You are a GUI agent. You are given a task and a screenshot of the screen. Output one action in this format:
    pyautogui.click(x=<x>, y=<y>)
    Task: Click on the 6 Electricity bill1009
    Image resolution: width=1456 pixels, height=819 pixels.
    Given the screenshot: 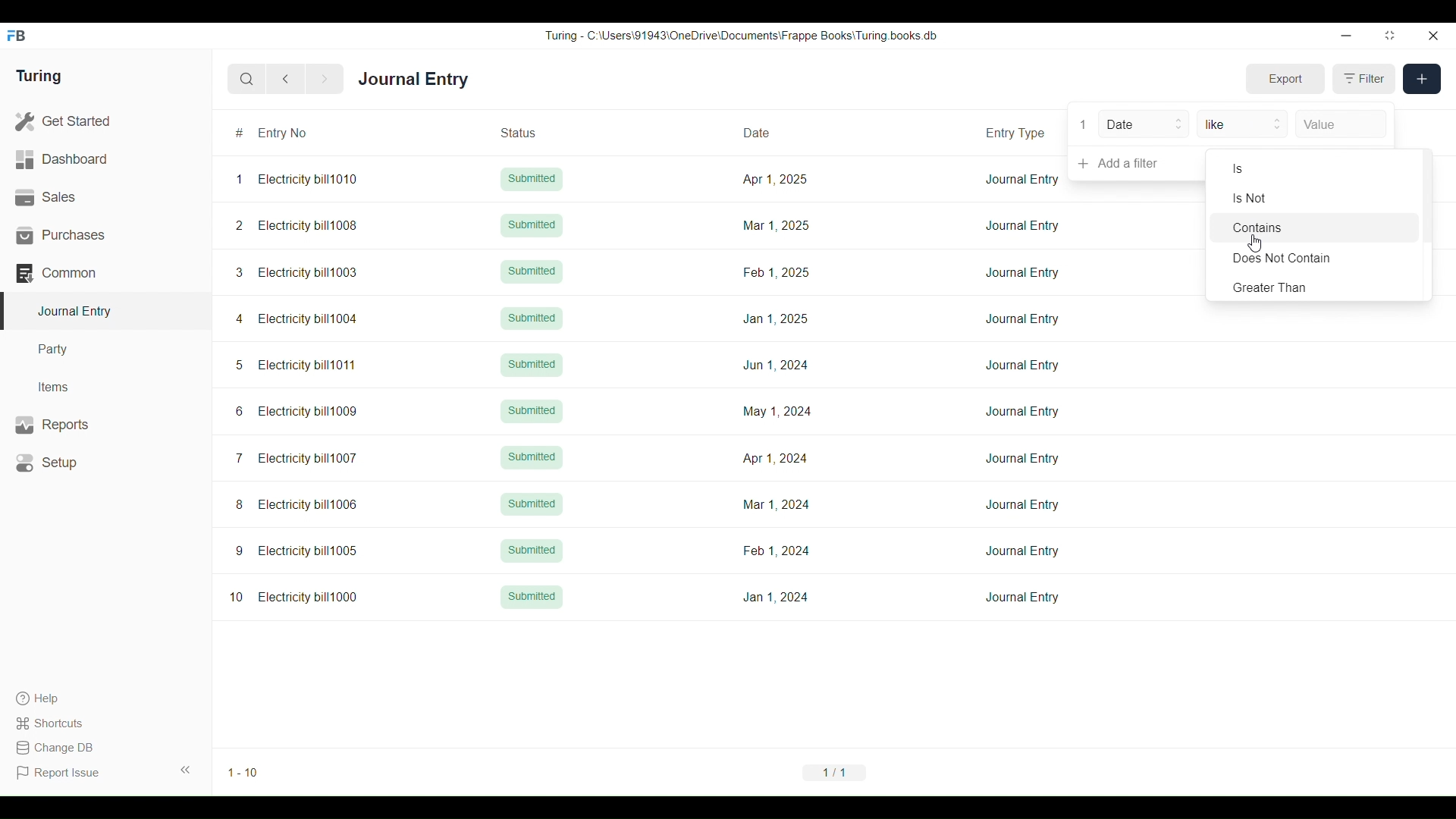 What is the action you would take?
    pyautogui.click(x=297, y=411)
    